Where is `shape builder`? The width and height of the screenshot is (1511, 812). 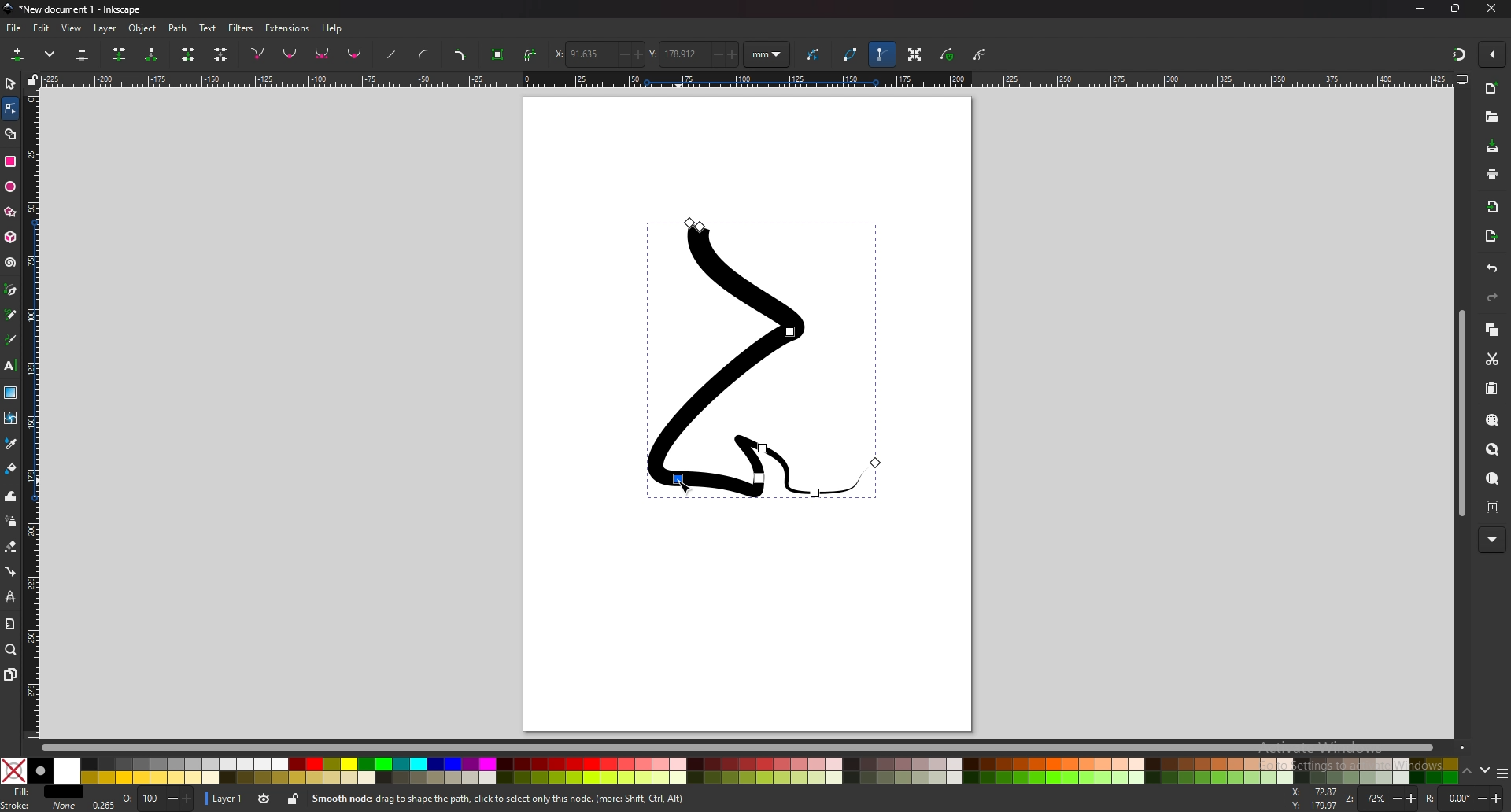 shape builder is located at coordinates (12, 134).